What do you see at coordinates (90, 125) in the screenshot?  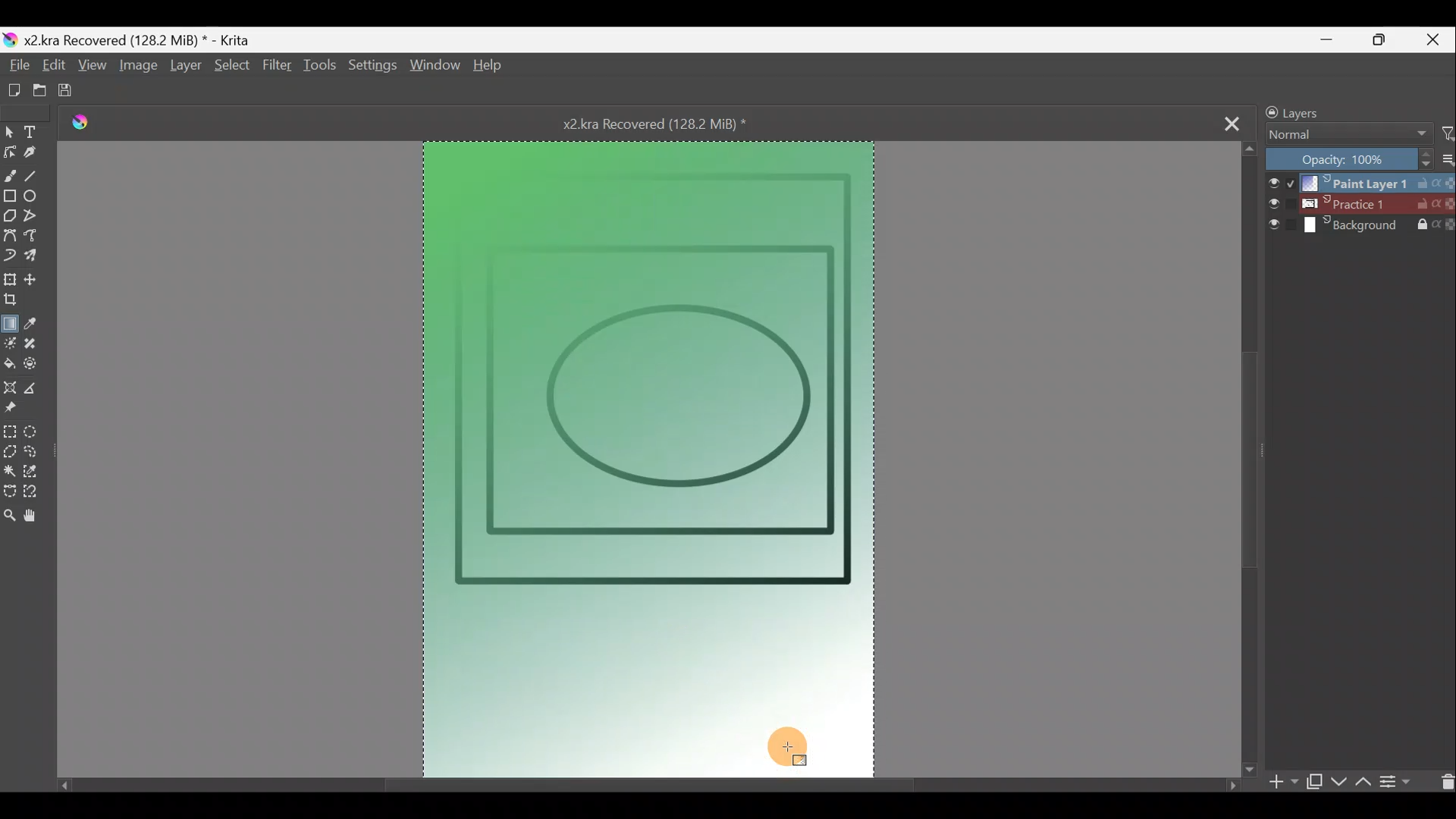 I see `Krita logo` at bounding box center [90, 125].